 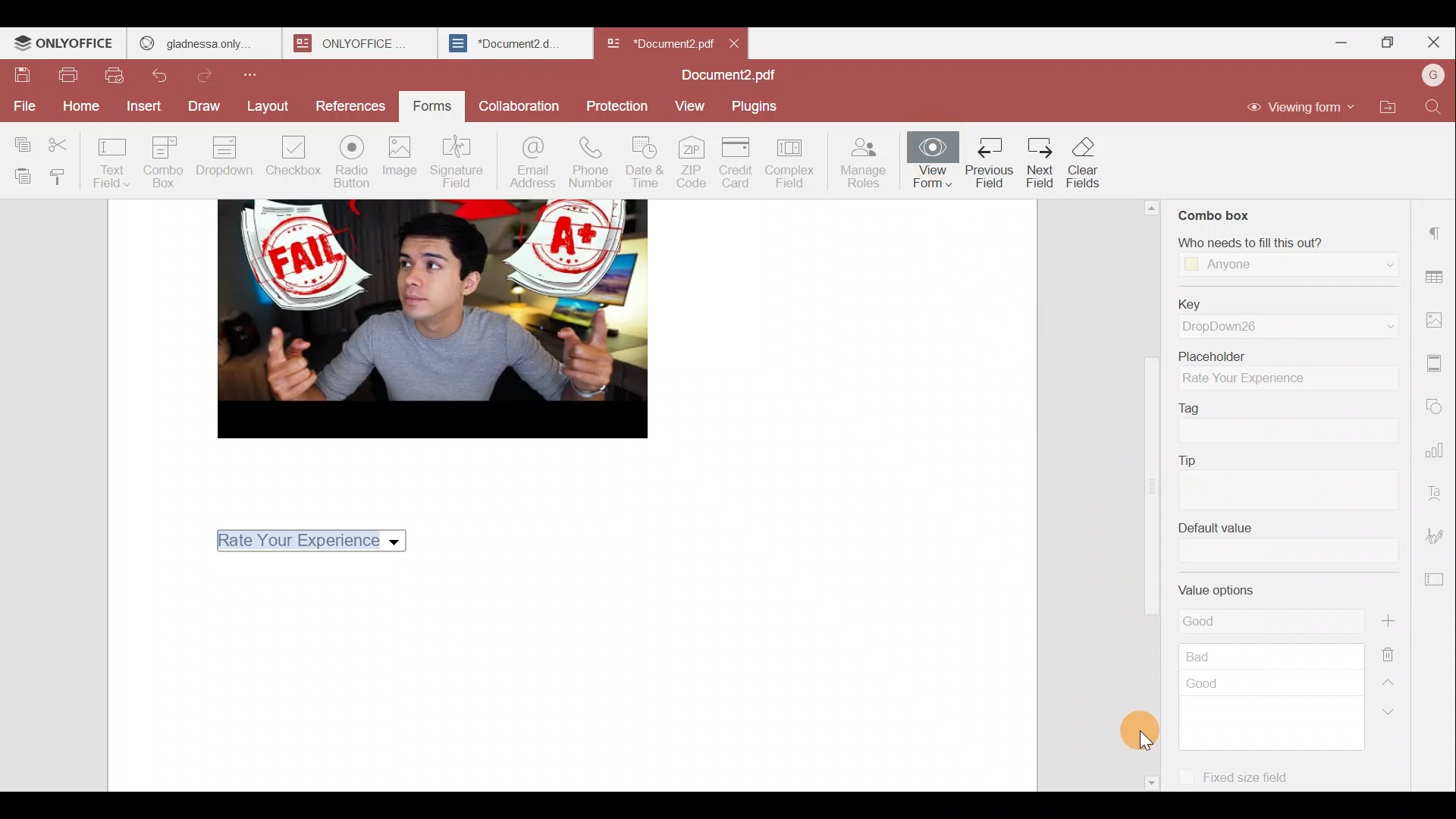 I want to click on Radio, so click(x=352, y=162).